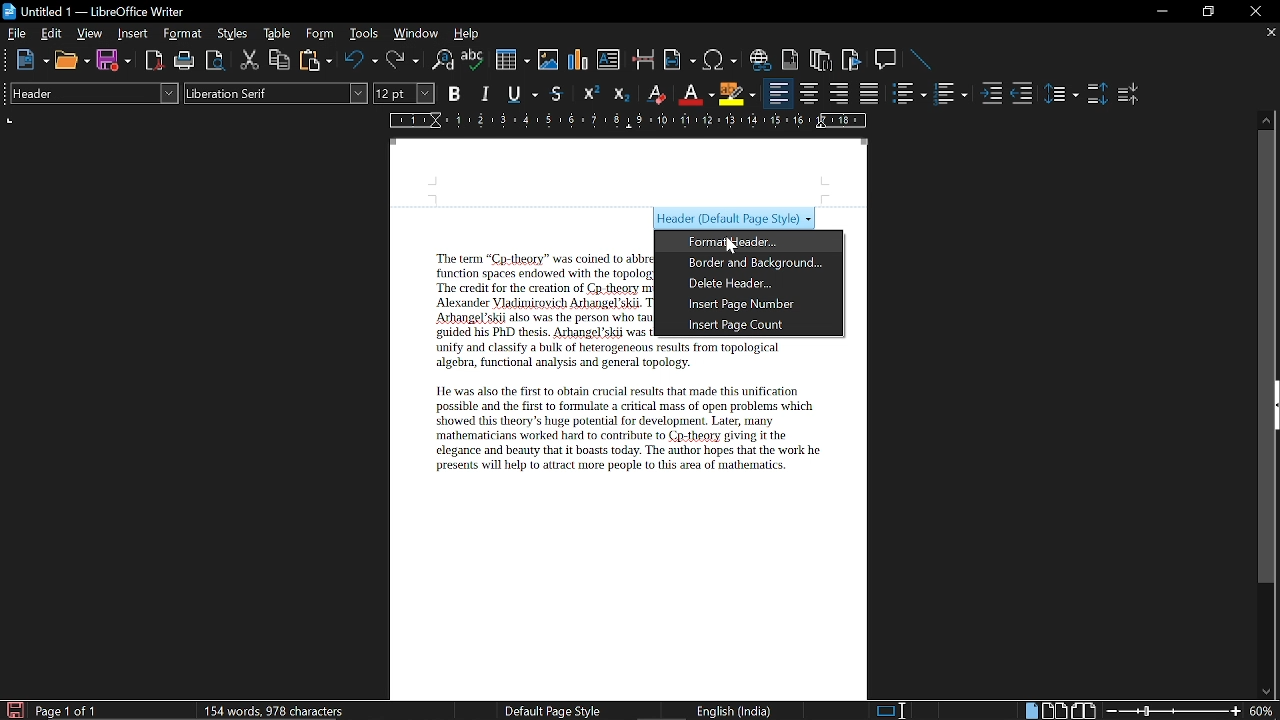  Describe the element at coordinates (778, 94) in the screenshot. I see `Align left` at that location.